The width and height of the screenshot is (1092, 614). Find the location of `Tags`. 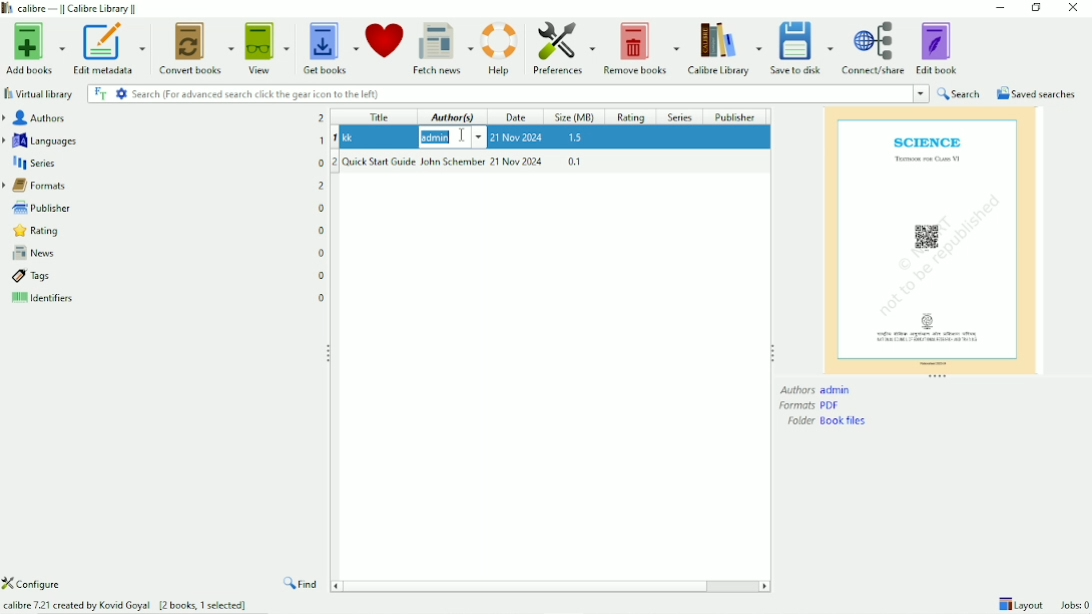

Tags is located at coordinates (167, 276).